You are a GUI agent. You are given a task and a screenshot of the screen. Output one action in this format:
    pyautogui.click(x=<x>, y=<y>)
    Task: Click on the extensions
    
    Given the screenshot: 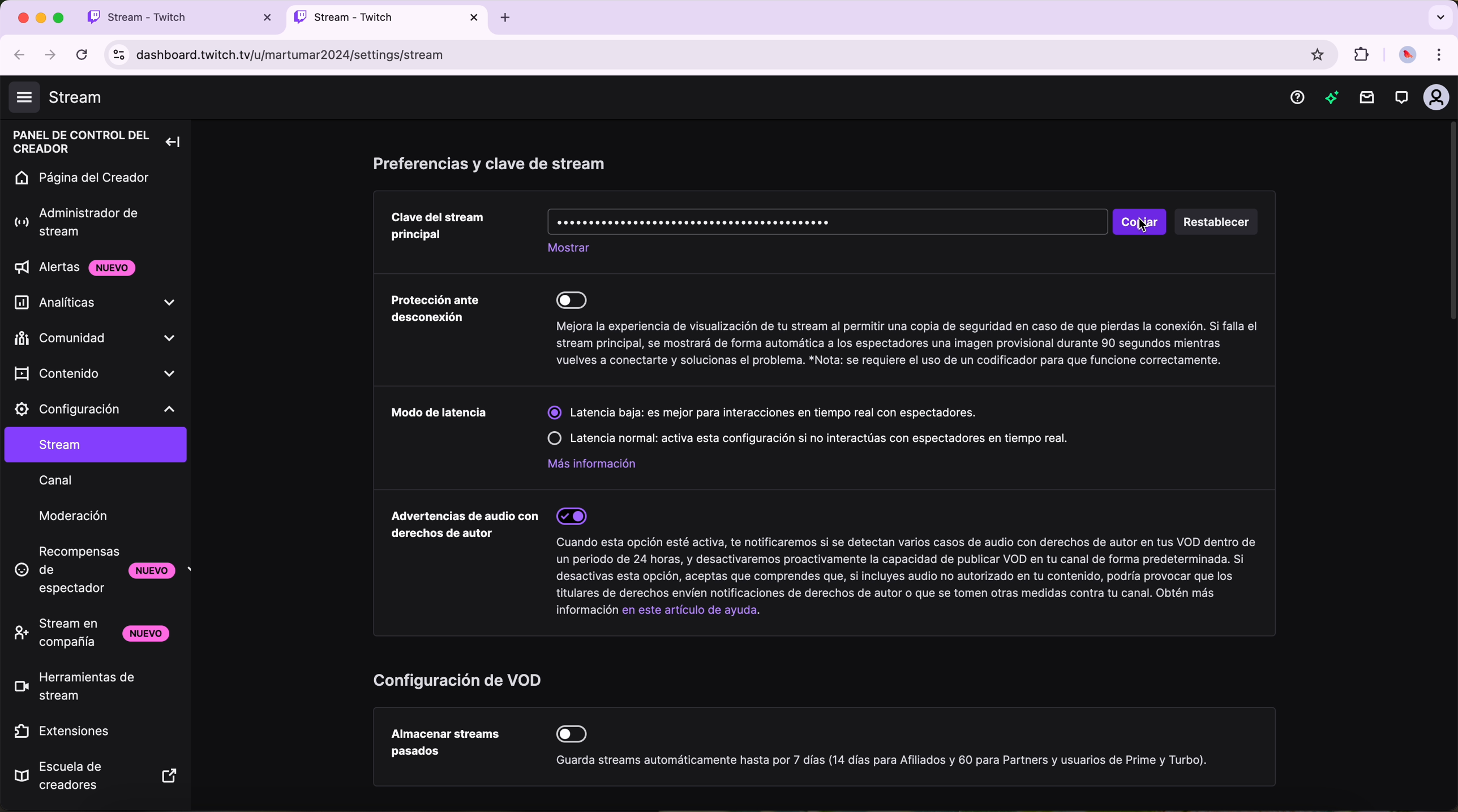 What is the action you would take?
    pyautogui.click(x=1361, y=53)
    